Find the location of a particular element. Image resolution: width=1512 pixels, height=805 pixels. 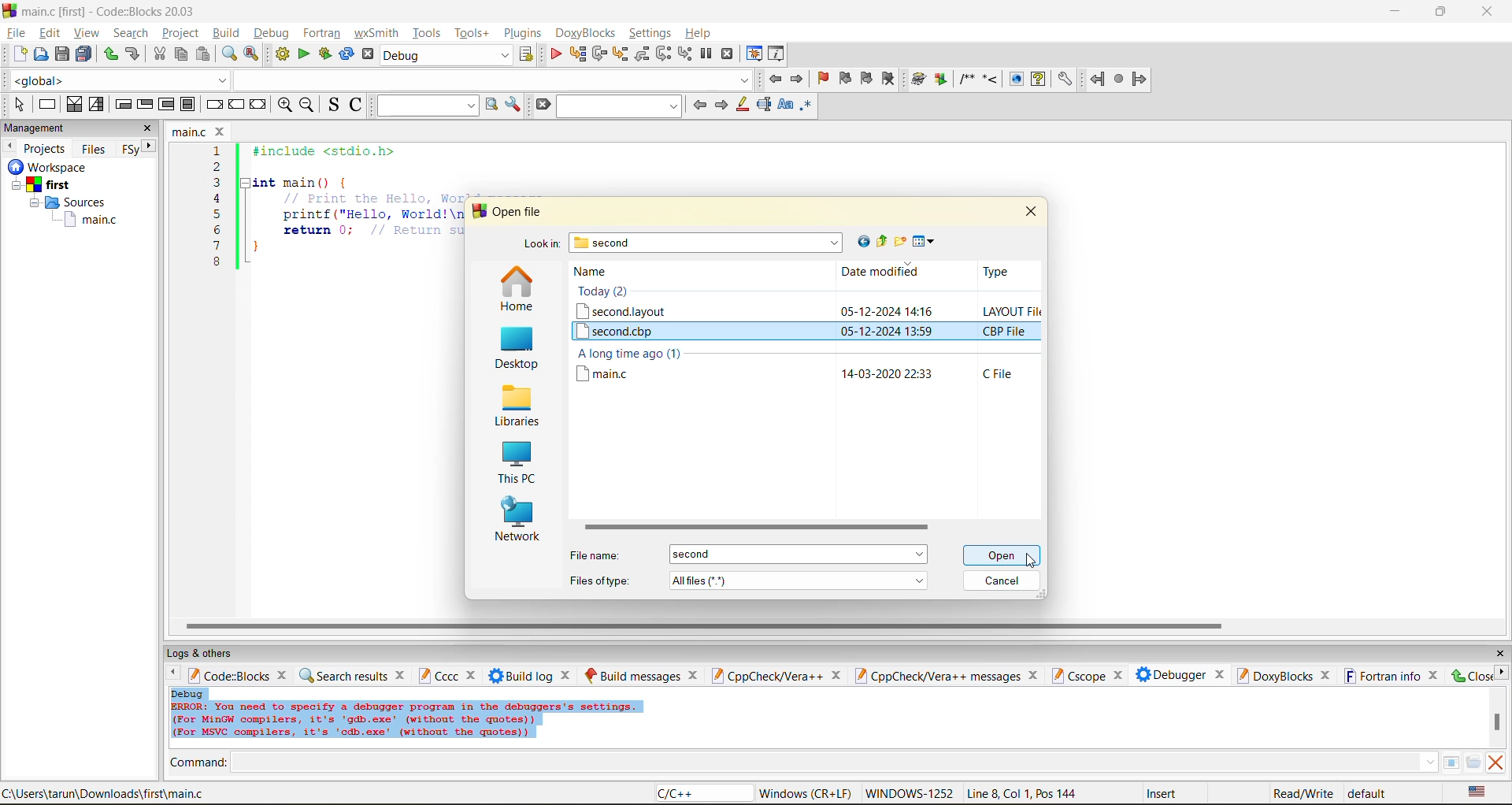

desktop is located at coordinates (514, 350).